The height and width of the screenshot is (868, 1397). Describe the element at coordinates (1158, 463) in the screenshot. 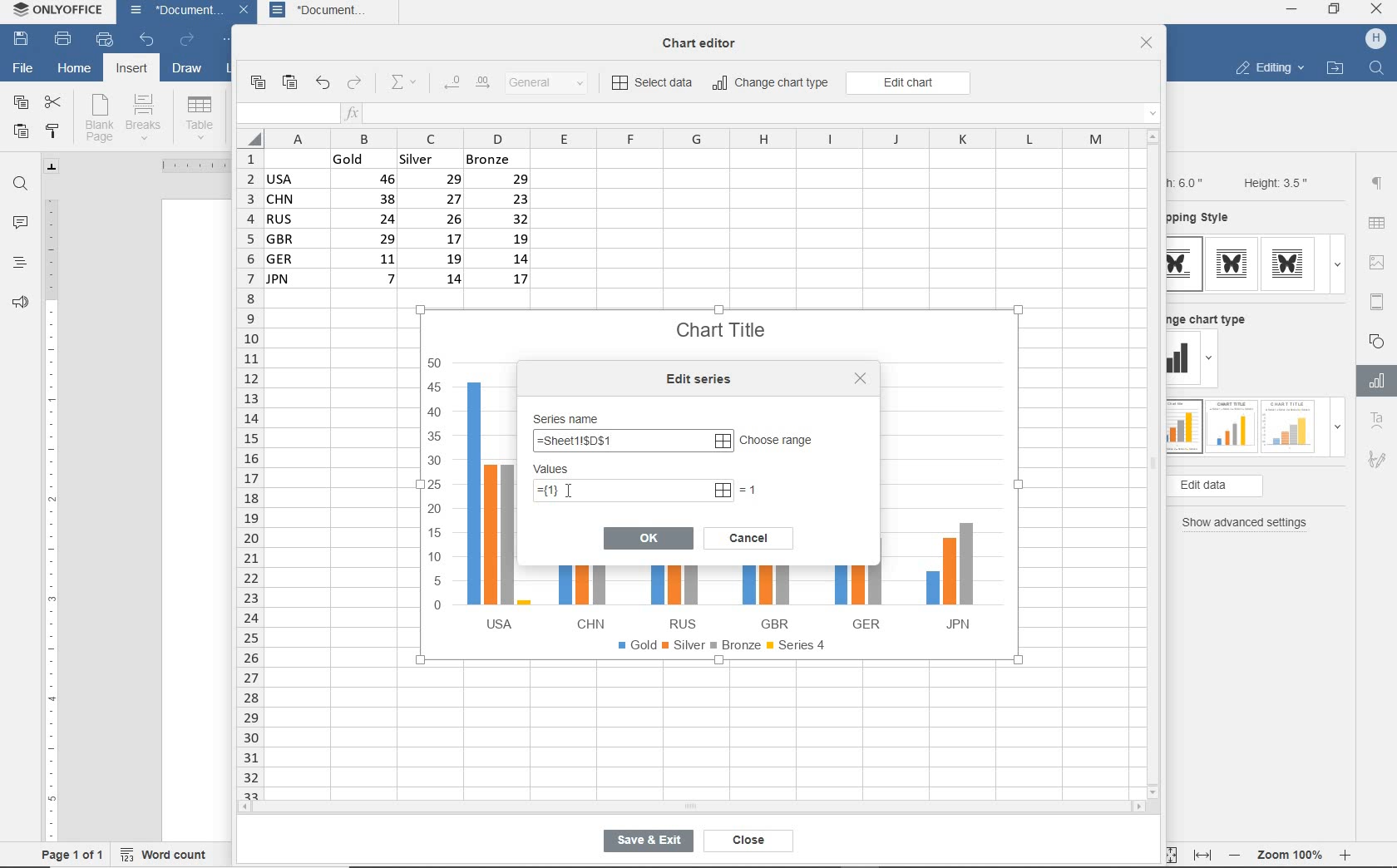

I see `vertical scroll bar` at that location.